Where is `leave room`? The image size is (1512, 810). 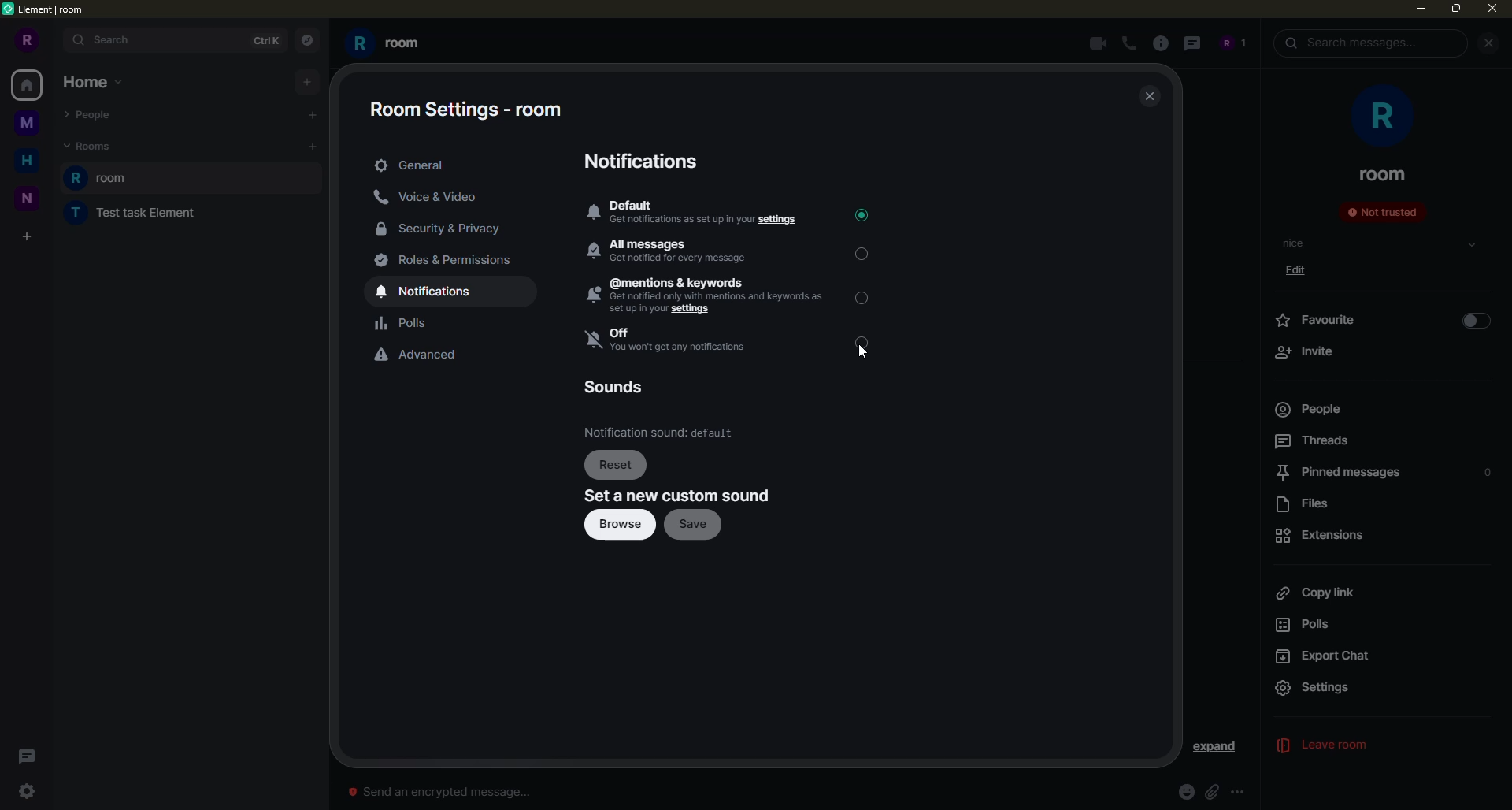 leave room is located at coordinates (1335, 746).